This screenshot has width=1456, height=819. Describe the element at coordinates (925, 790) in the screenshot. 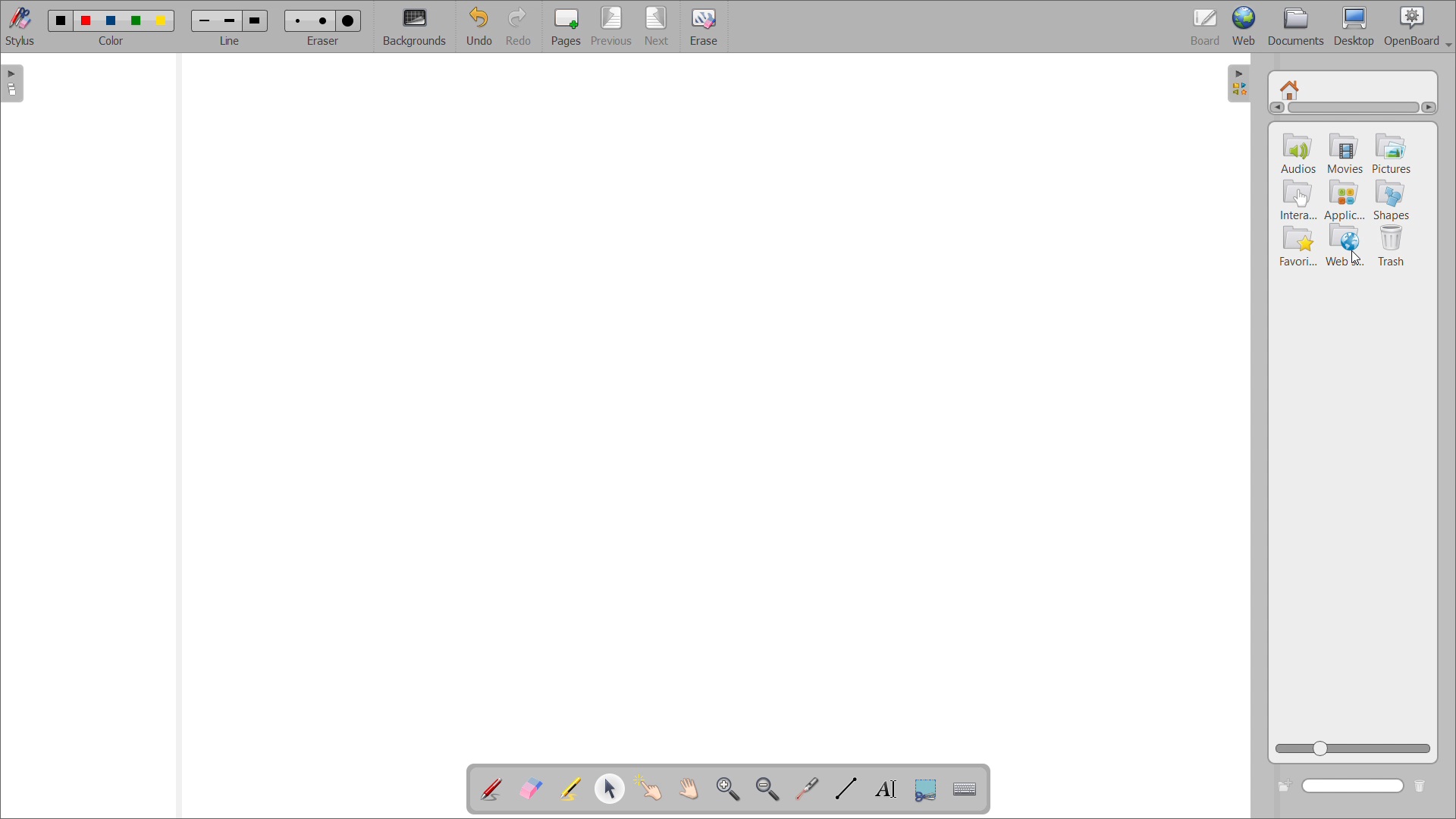

I see `` at that location.